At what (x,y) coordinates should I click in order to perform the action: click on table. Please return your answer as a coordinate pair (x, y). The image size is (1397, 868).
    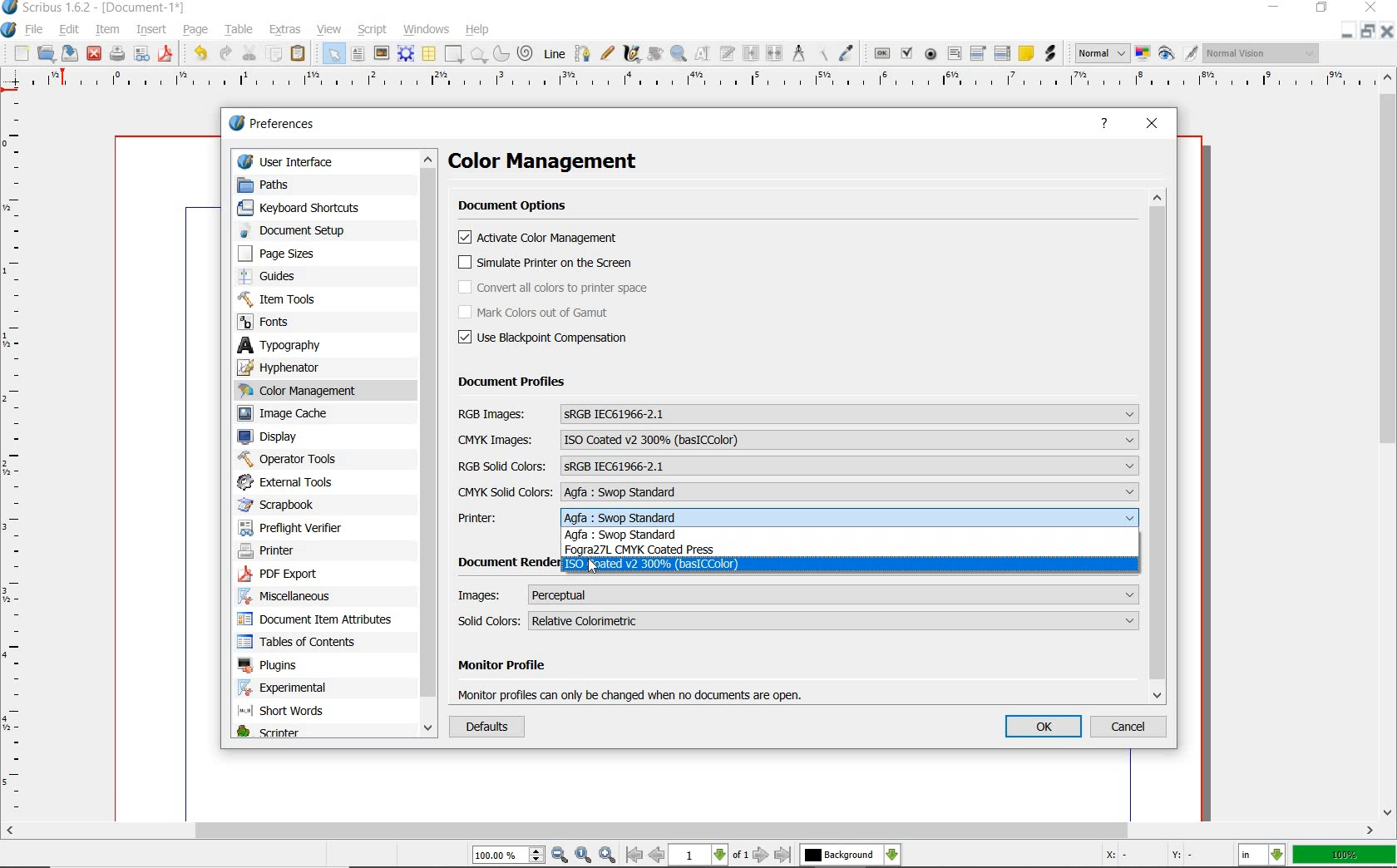
    Looking at the image, I should click on (239, 28).